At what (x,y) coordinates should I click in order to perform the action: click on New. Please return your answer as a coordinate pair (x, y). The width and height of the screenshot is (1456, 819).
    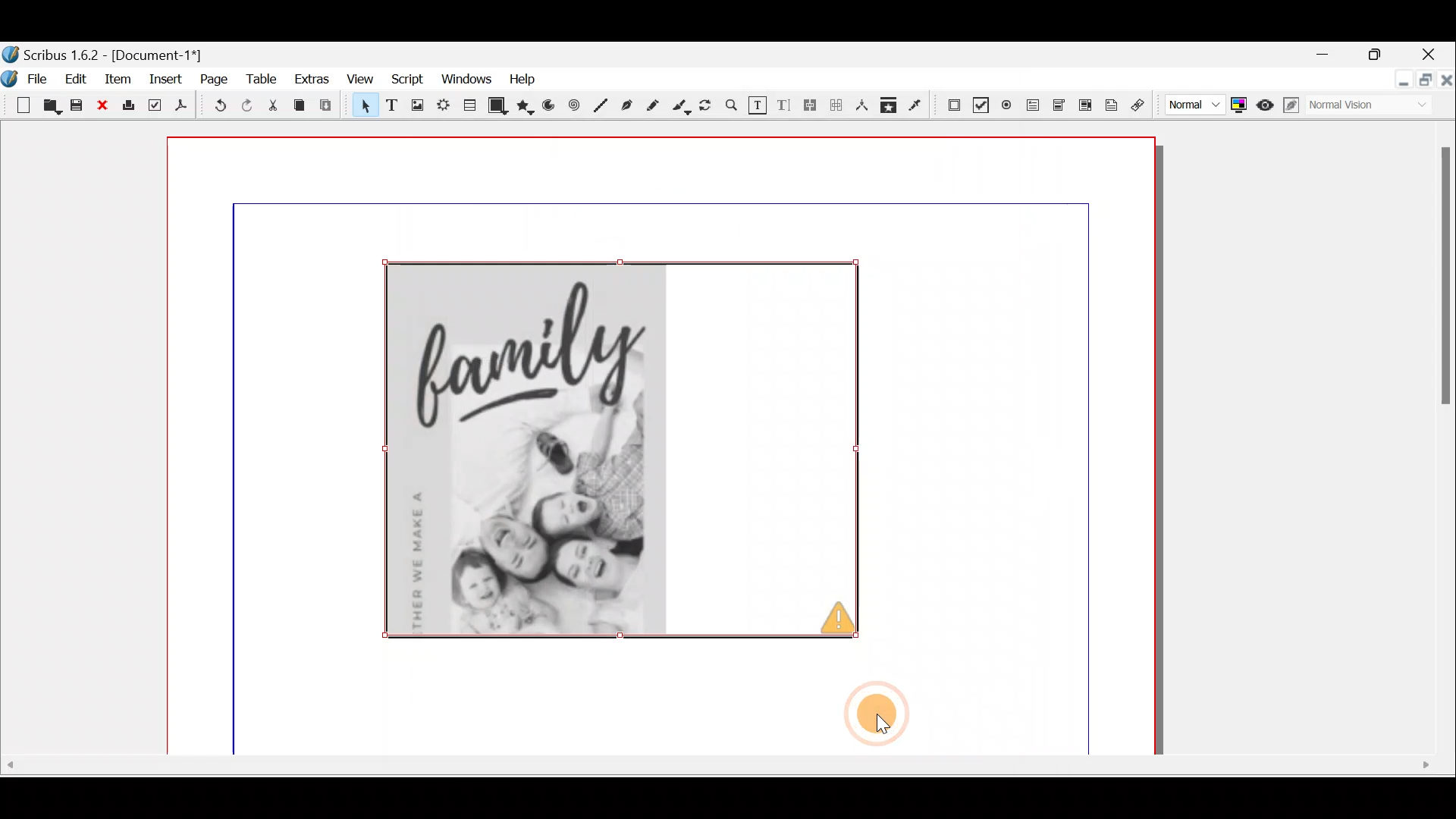
    Looking at the image, I should click on (17, 106).